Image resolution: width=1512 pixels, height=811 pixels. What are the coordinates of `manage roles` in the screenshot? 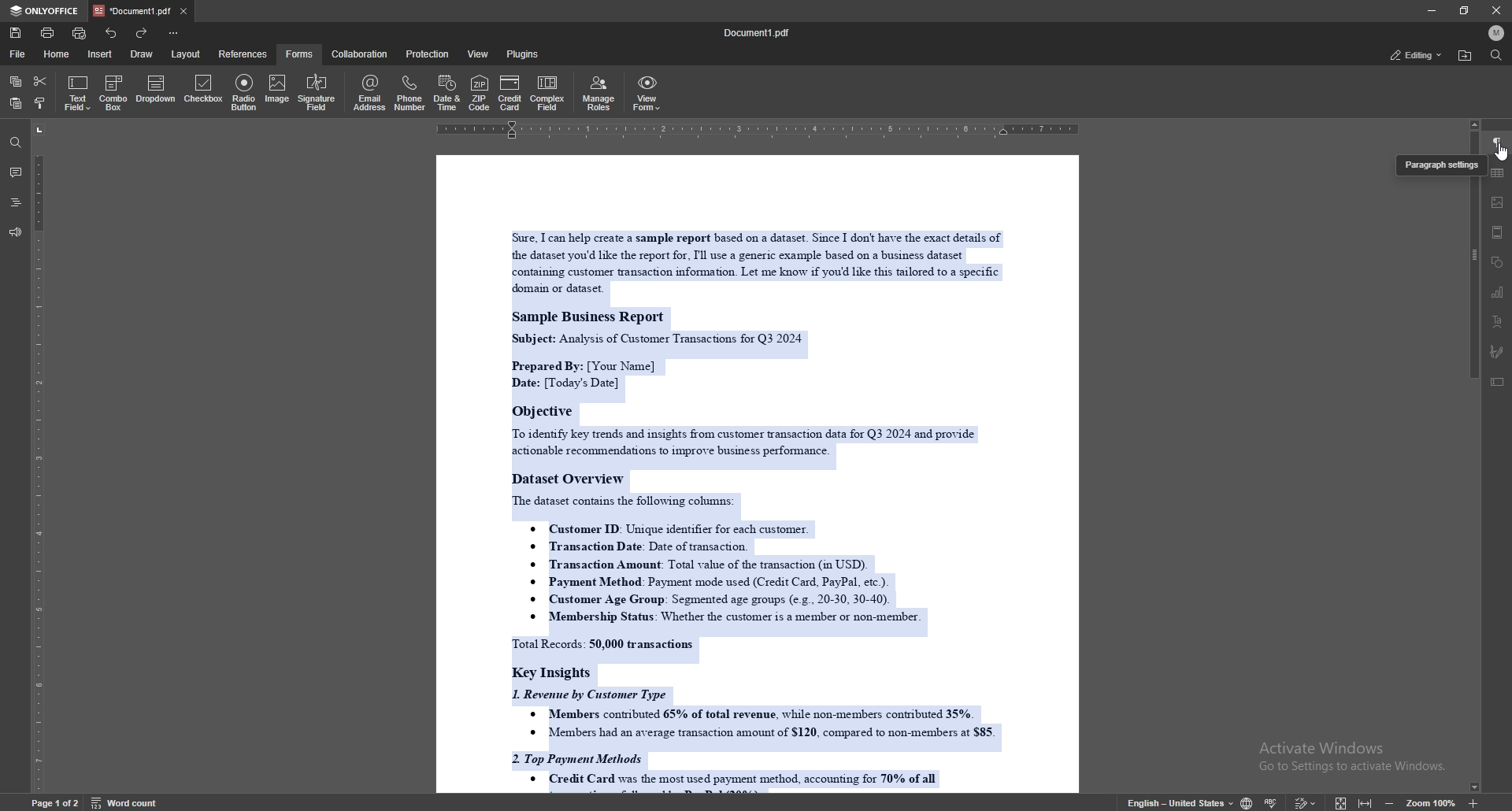 It's located at (601, 92).